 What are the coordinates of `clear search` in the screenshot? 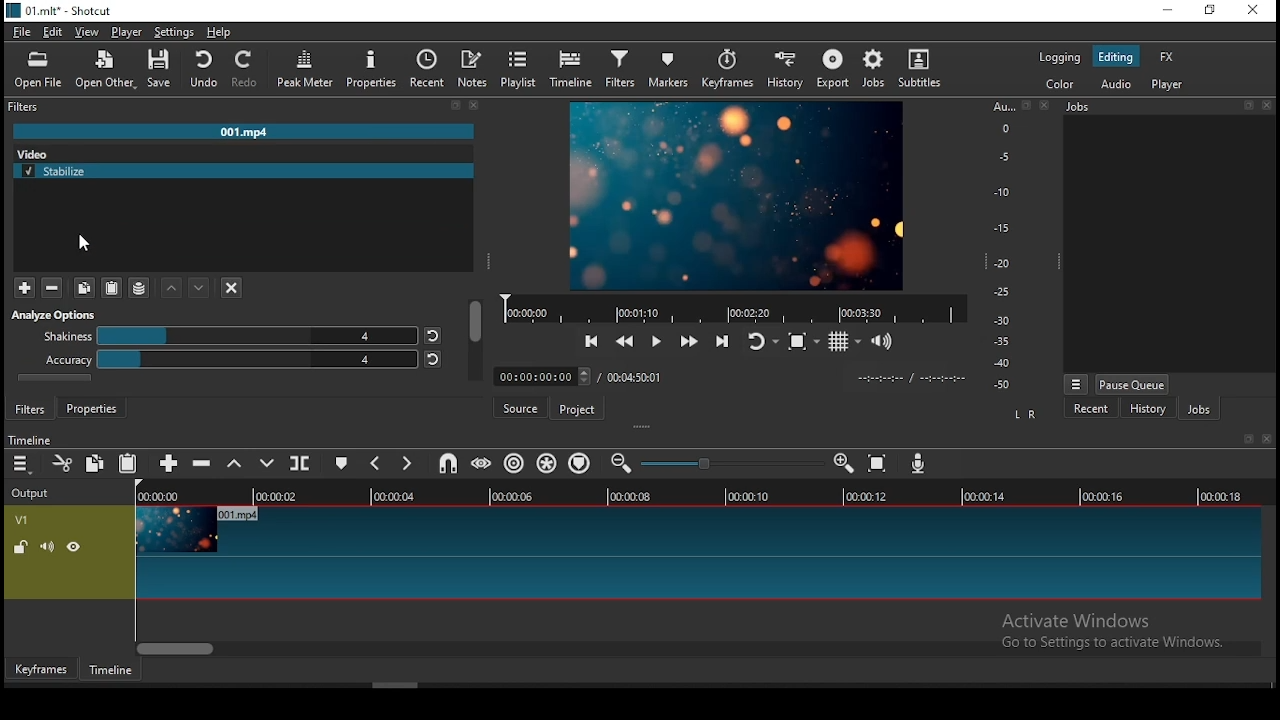 It's located at (455, 104).